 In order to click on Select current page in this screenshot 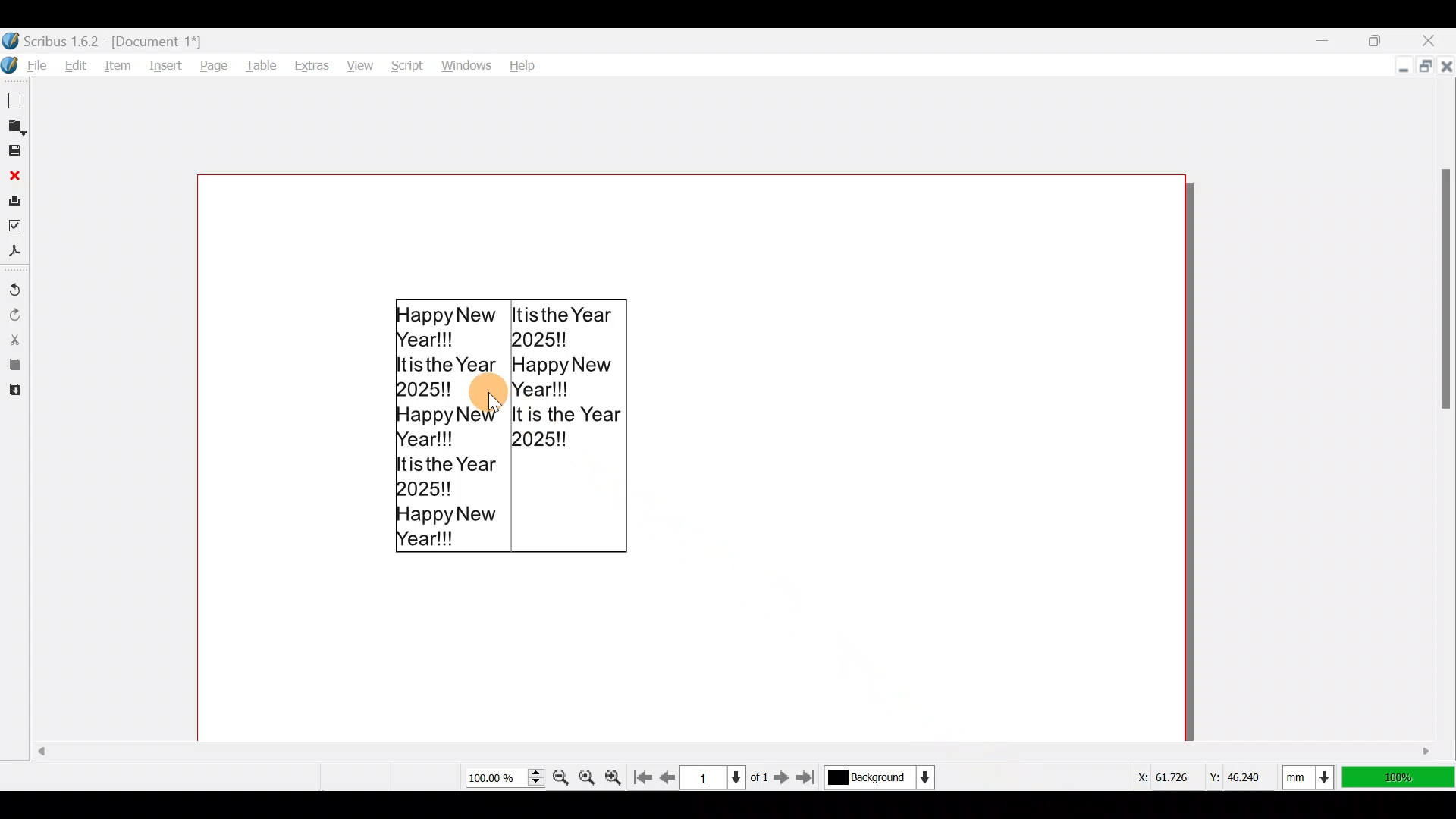, I will do `click(723, 776)`.